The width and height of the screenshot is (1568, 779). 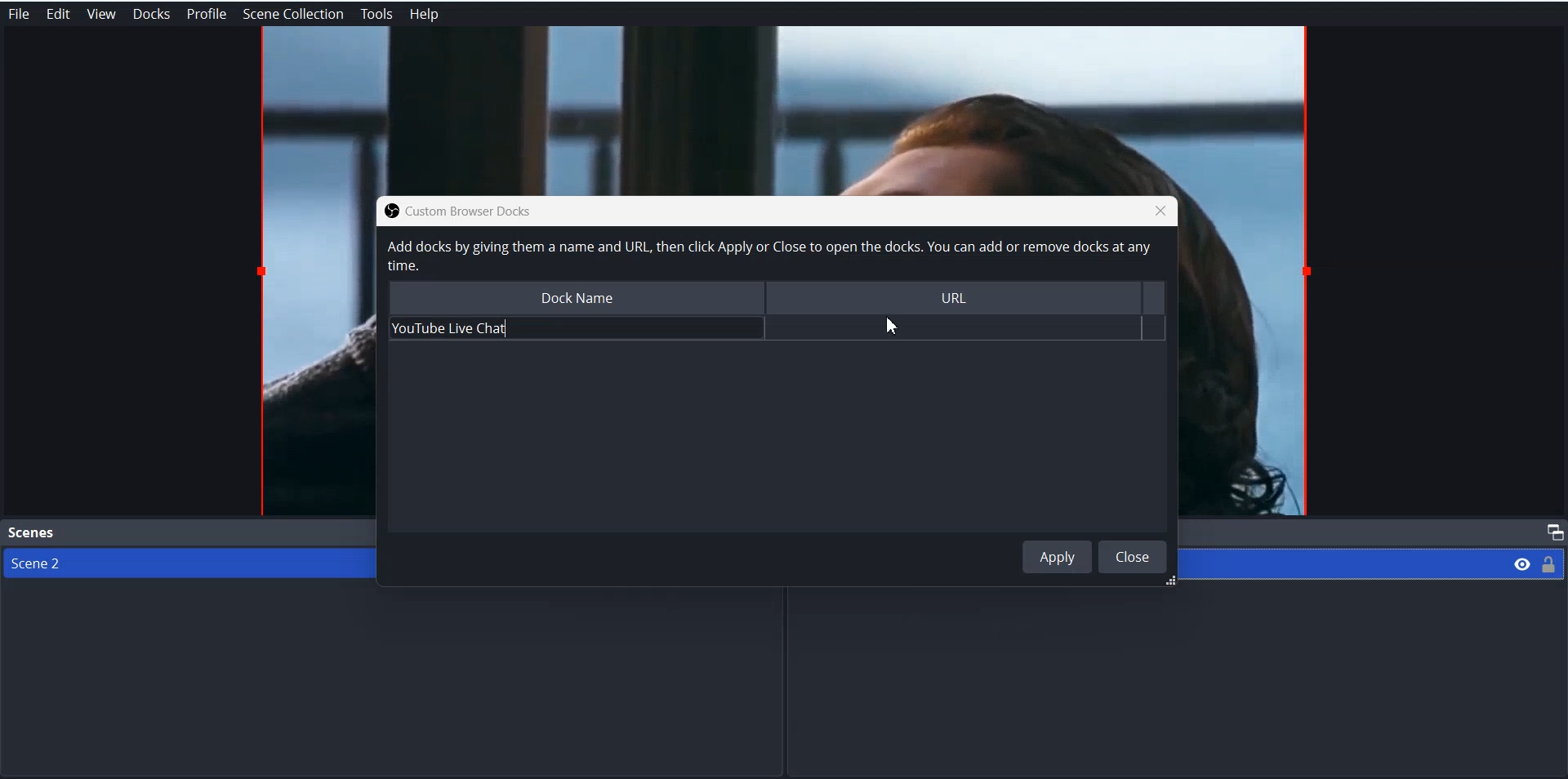 I want to click on Help, so click(x=425, y=15).